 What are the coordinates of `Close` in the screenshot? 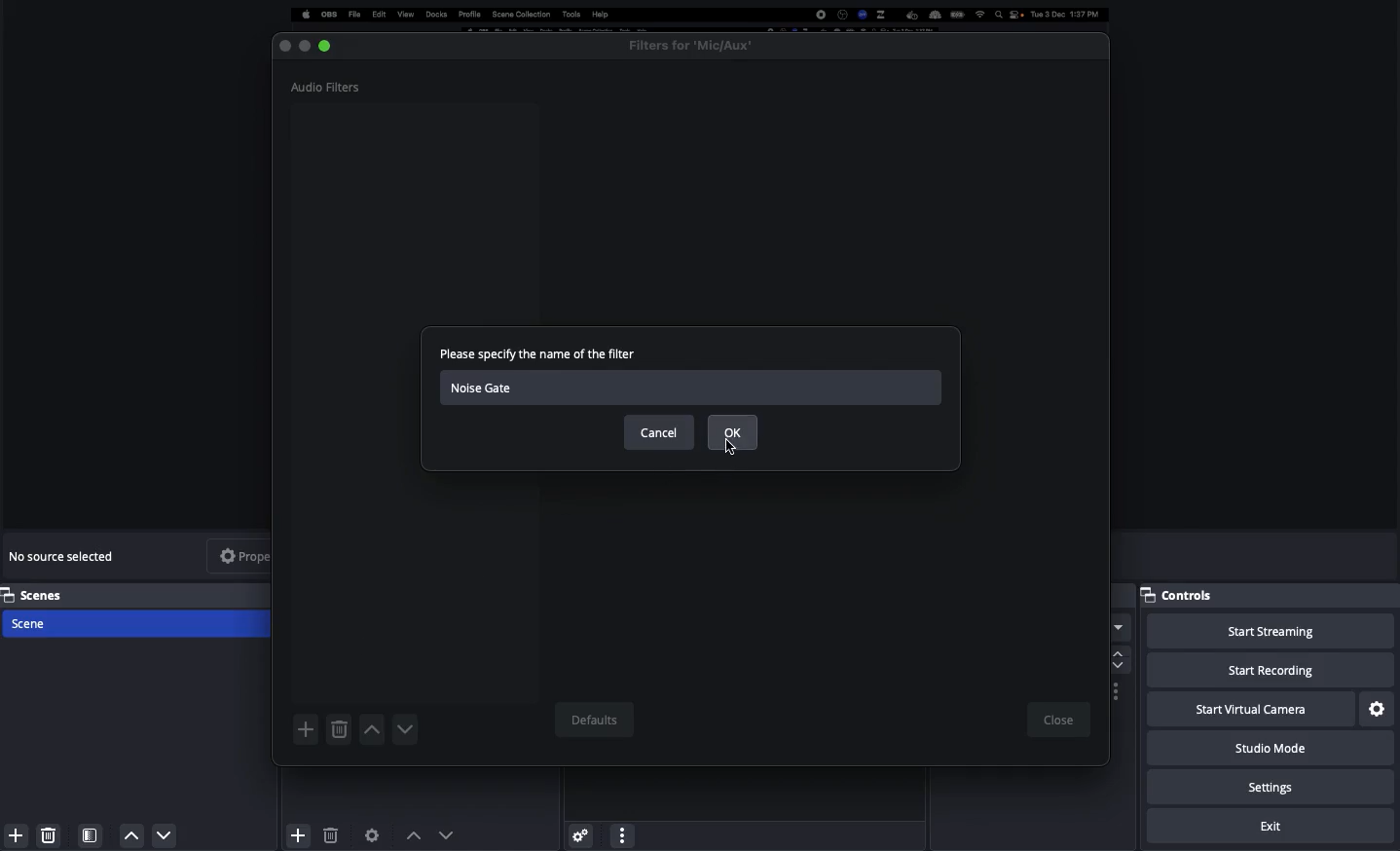 It's located at (1057, 721).